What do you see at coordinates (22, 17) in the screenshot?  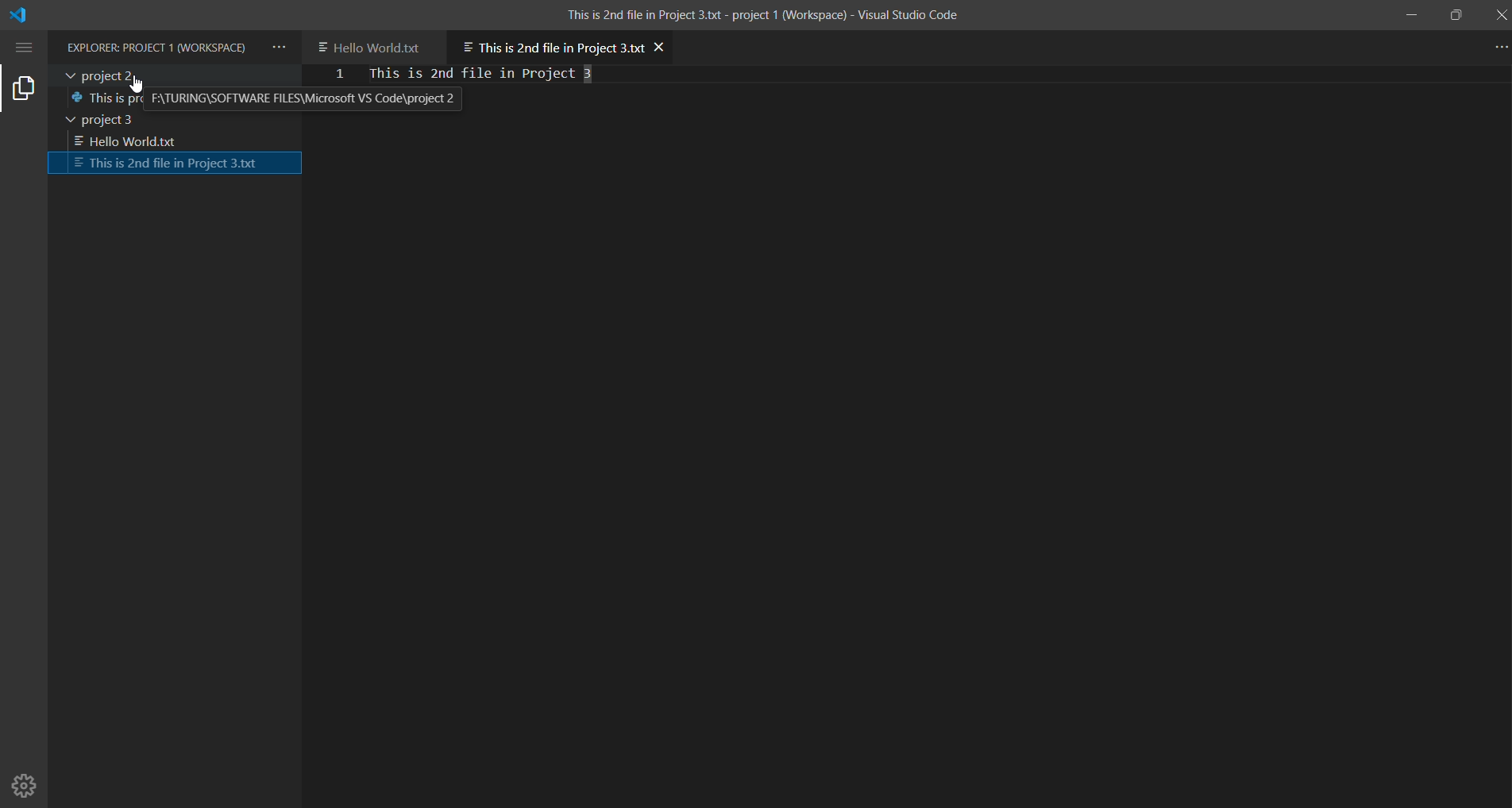 I see `VS code logo` at bounding box center [22, 17].